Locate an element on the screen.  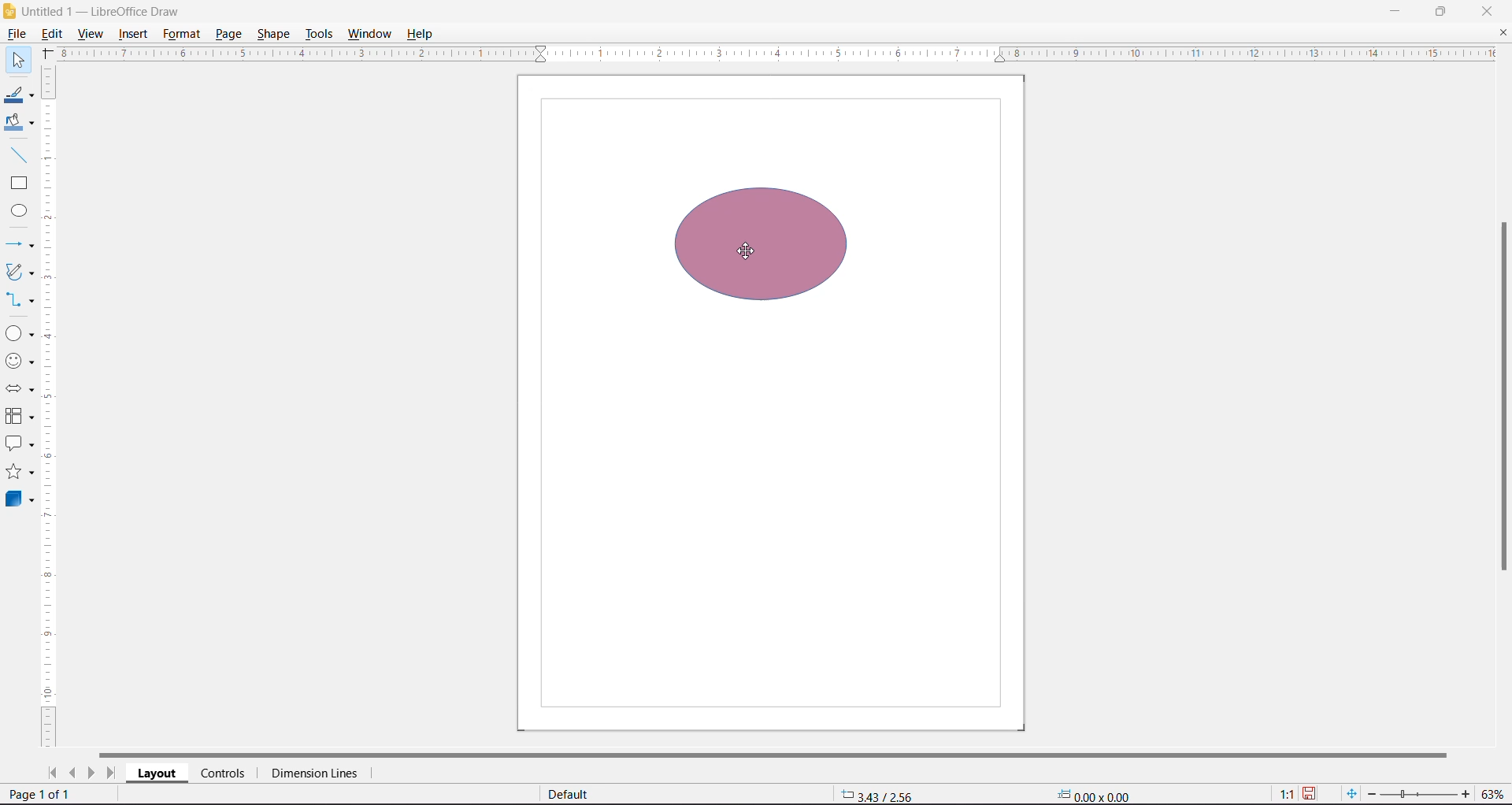
Dimension Lines is located at coordinates (318, 773).